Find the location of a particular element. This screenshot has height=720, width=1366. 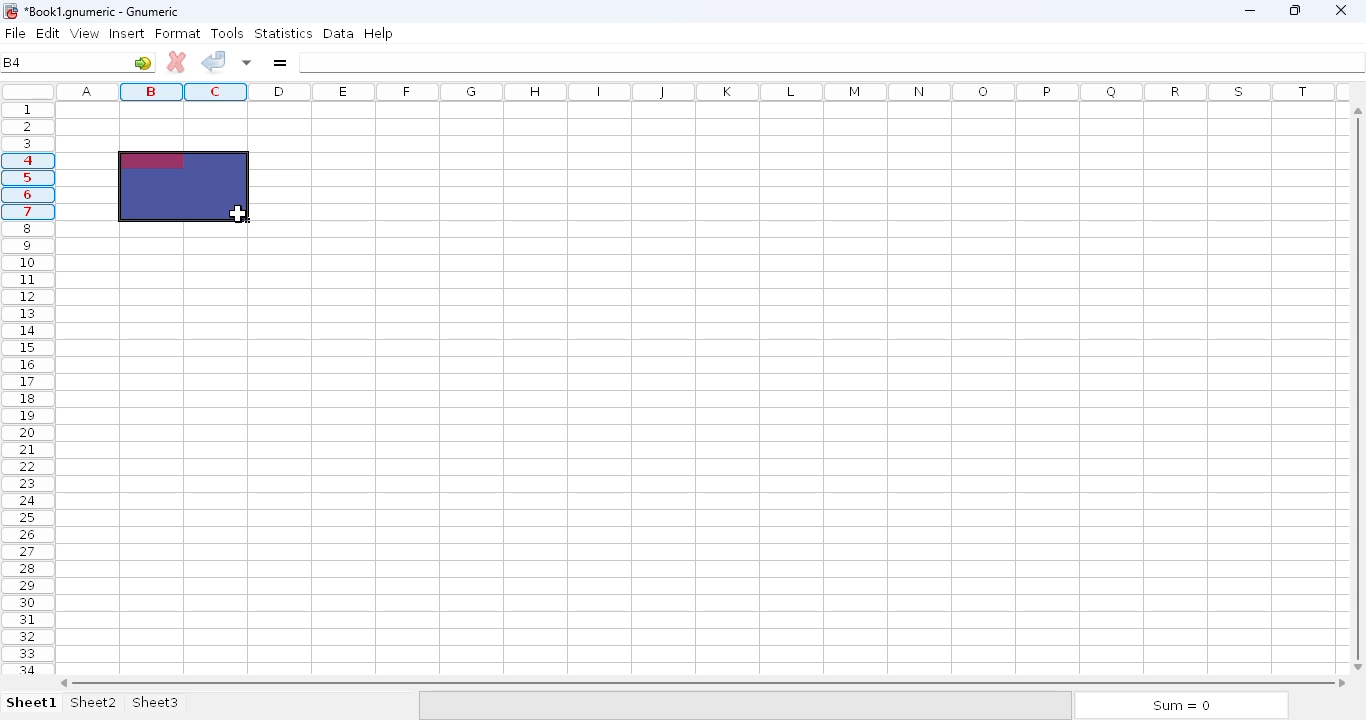

tools is located at coordinates (226, 33).